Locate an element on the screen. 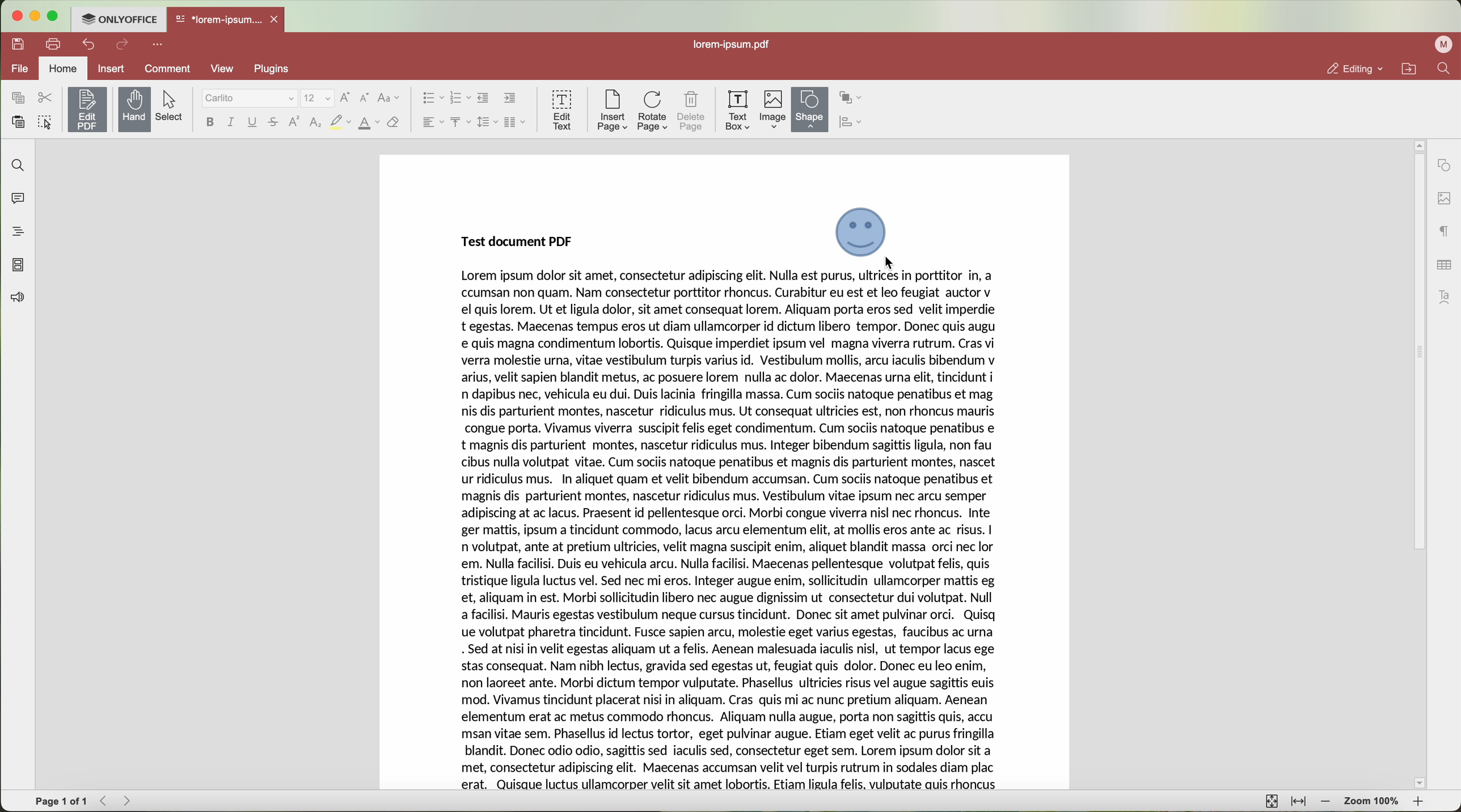 The height and width of the screenshot is (812, 1461). close program is located at coordinates (18, 16).